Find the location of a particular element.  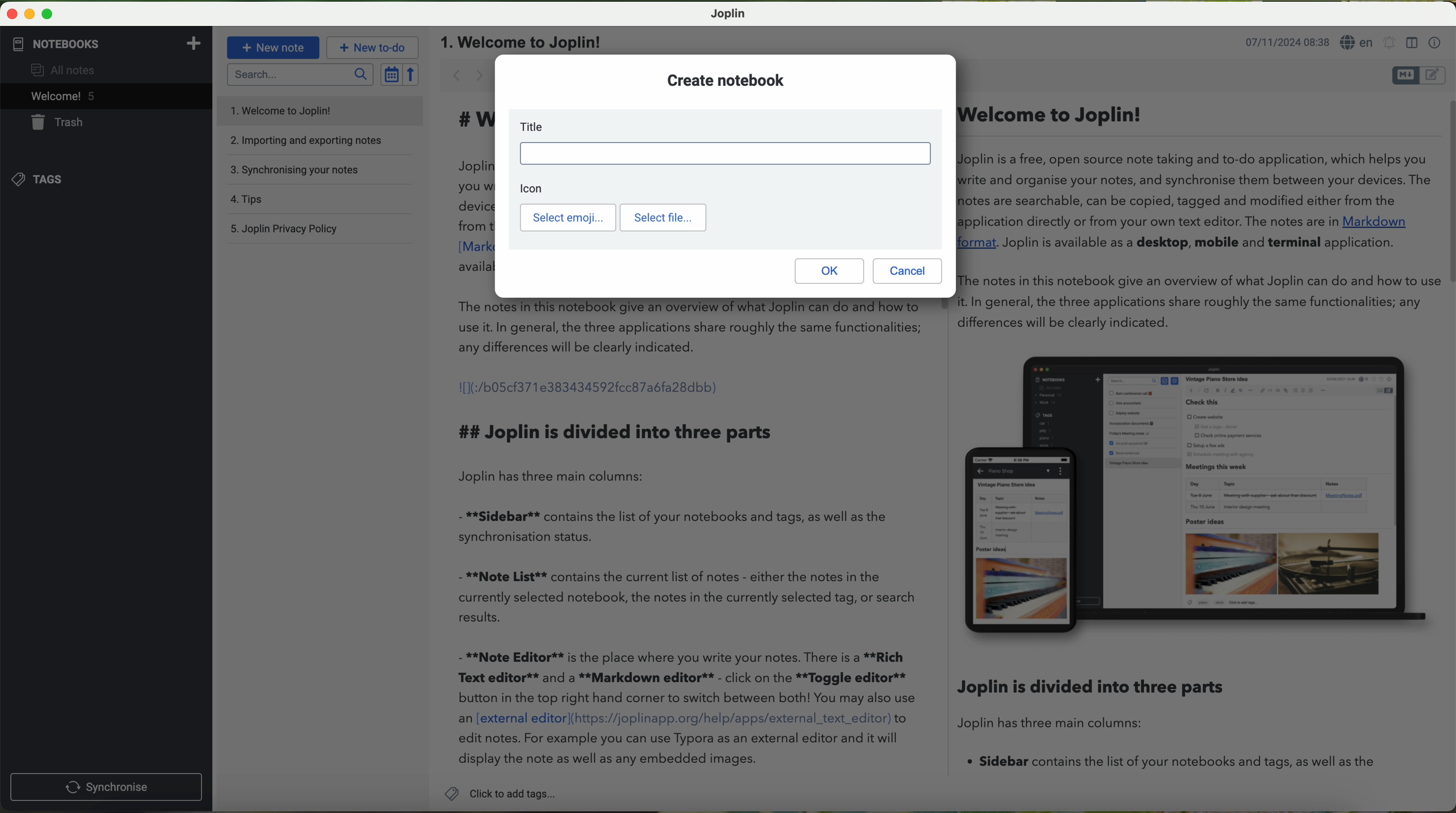

synchronising your notes is located at coordinates (300, 171).